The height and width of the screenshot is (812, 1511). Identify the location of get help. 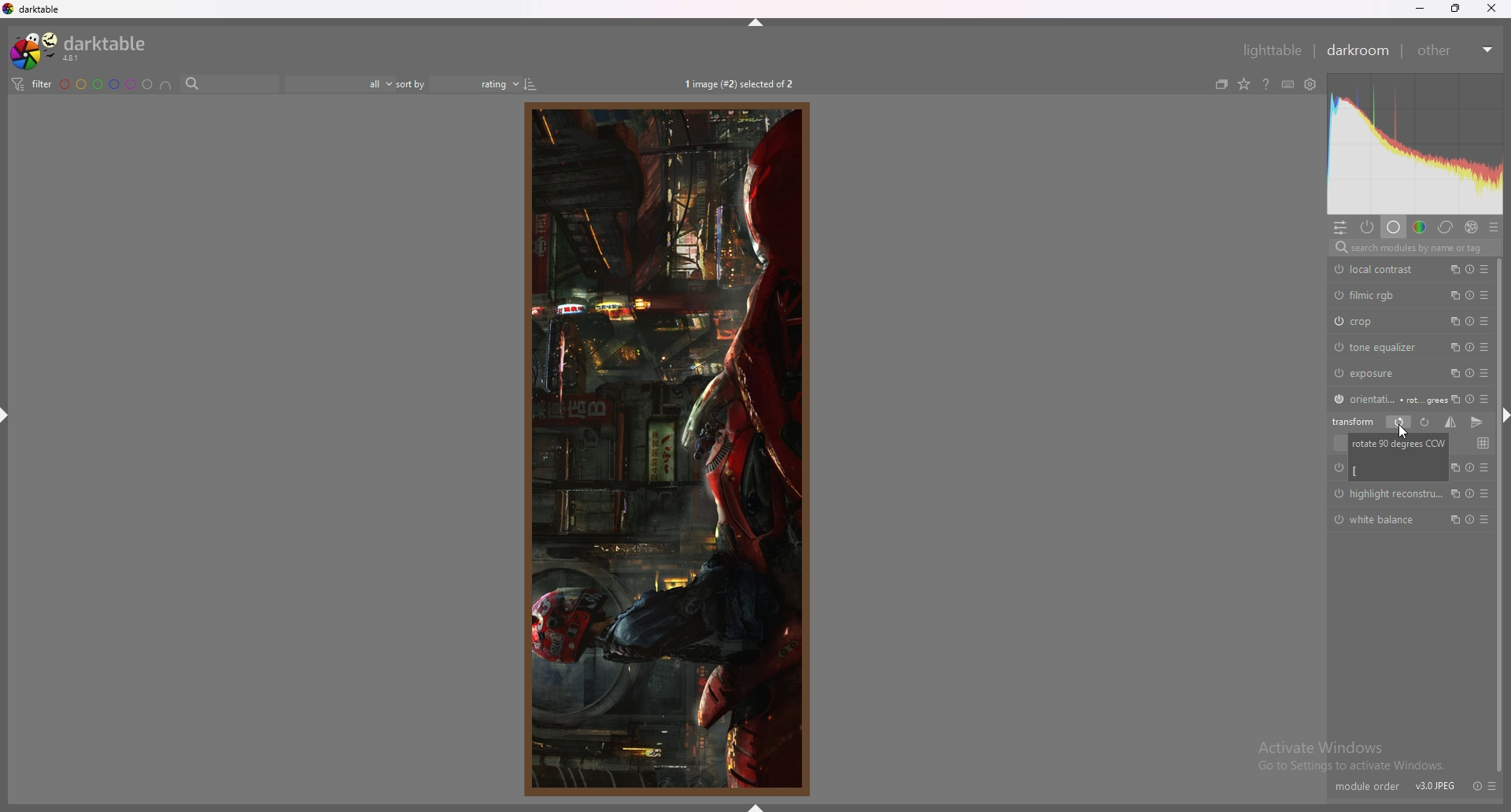
(1266, 85).